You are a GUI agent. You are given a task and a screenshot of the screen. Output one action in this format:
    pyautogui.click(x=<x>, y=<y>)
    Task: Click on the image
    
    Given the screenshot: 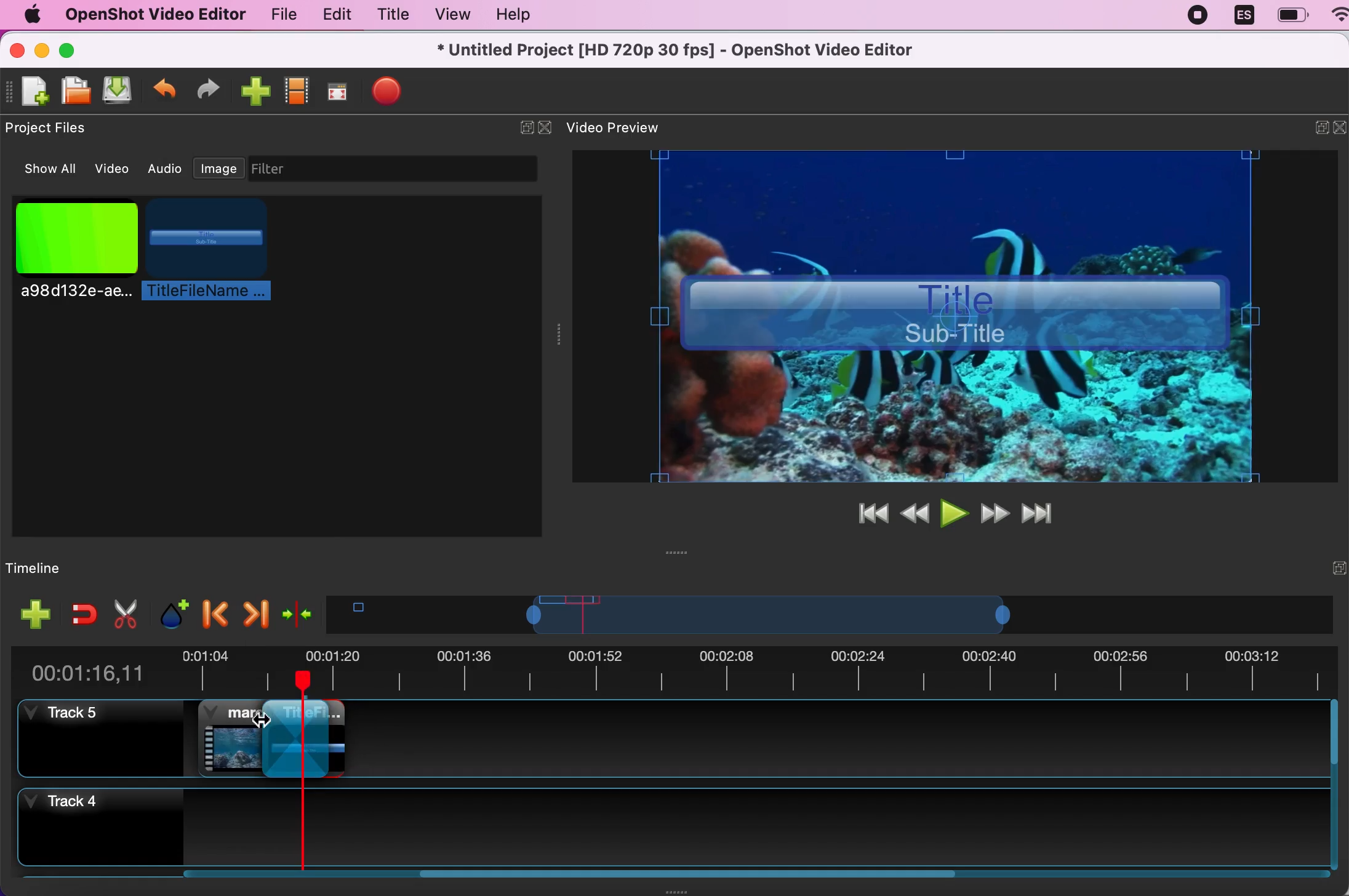 What is the action you would take?
    pyautogui.click(x=219, y=166)
    